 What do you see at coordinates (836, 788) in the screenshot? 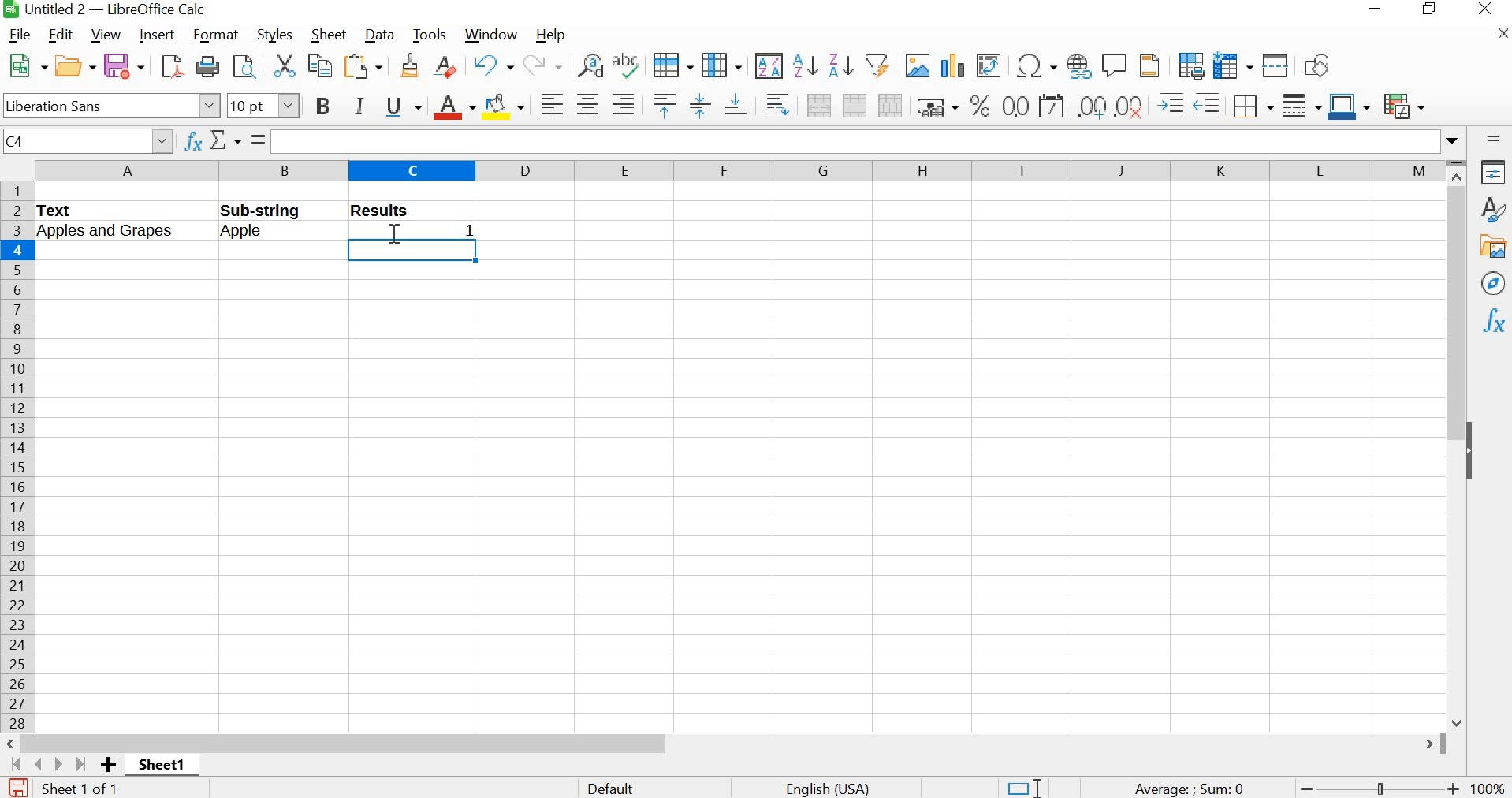
I see `text language` at bounding box center [836, 788].